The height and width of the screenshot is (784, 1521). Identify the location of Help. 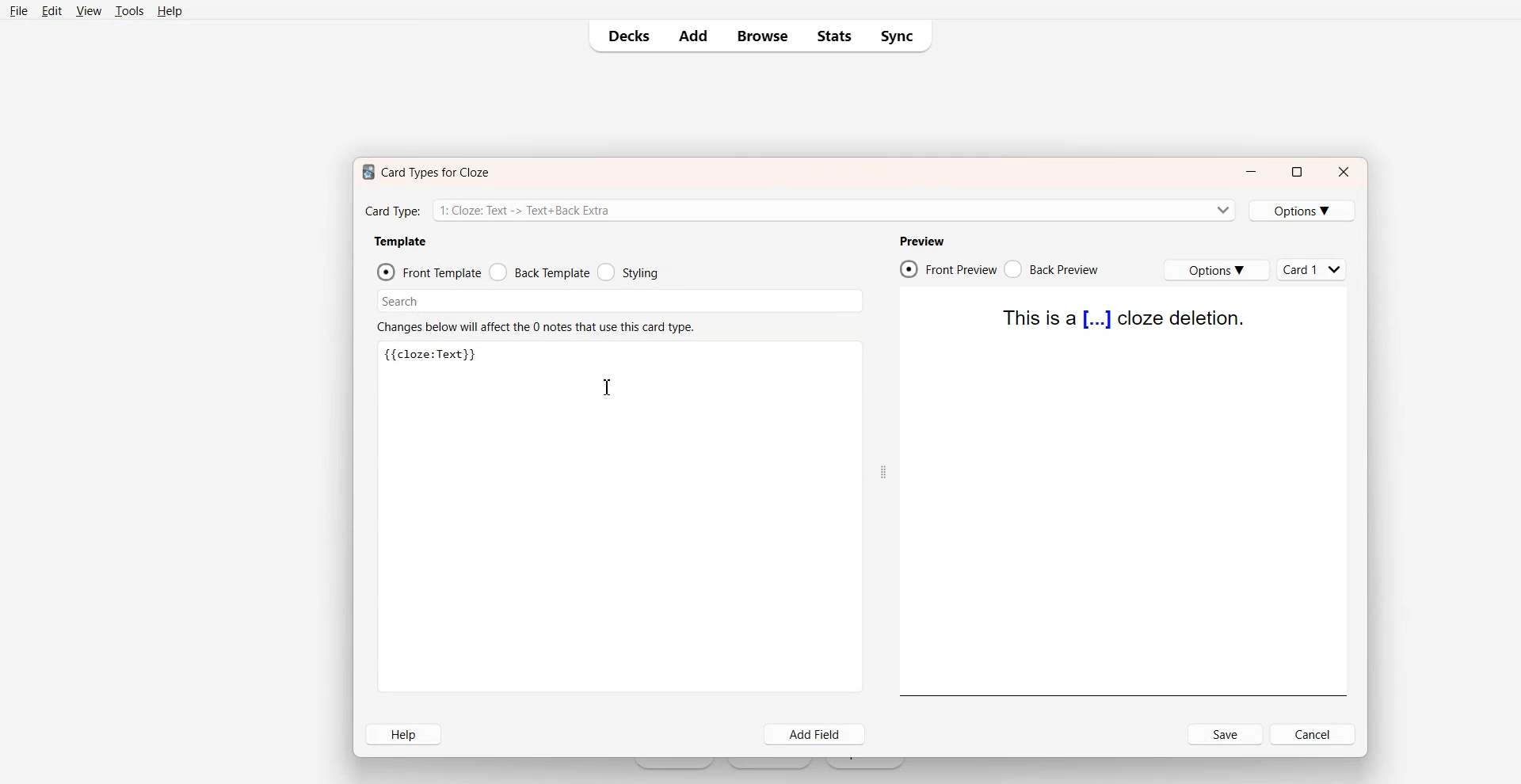
(169, 10).